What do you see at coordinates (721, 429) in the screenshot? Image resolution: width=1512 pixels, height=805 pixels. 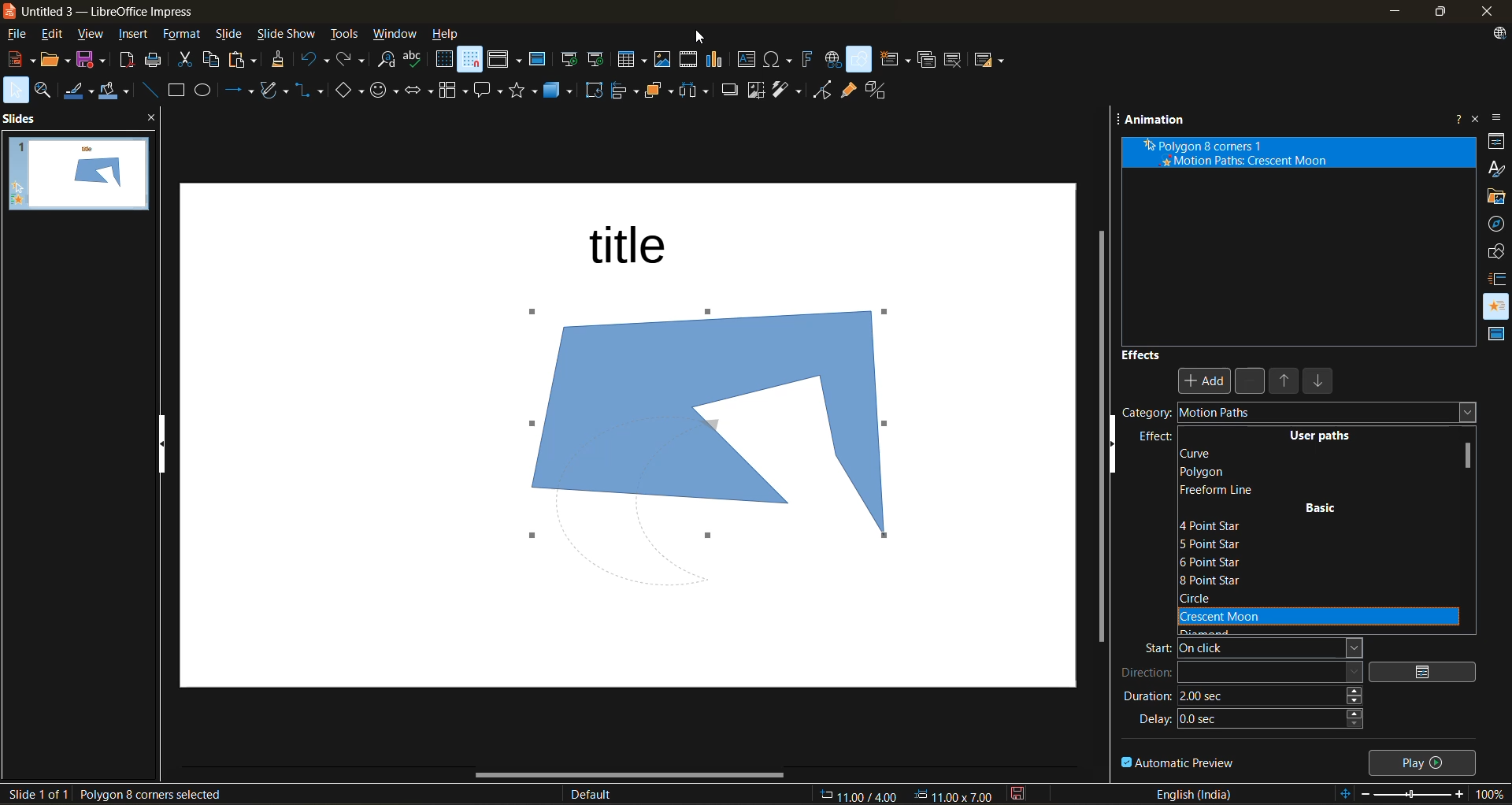 I see `shape inserted` at bounding box center [721, 429].